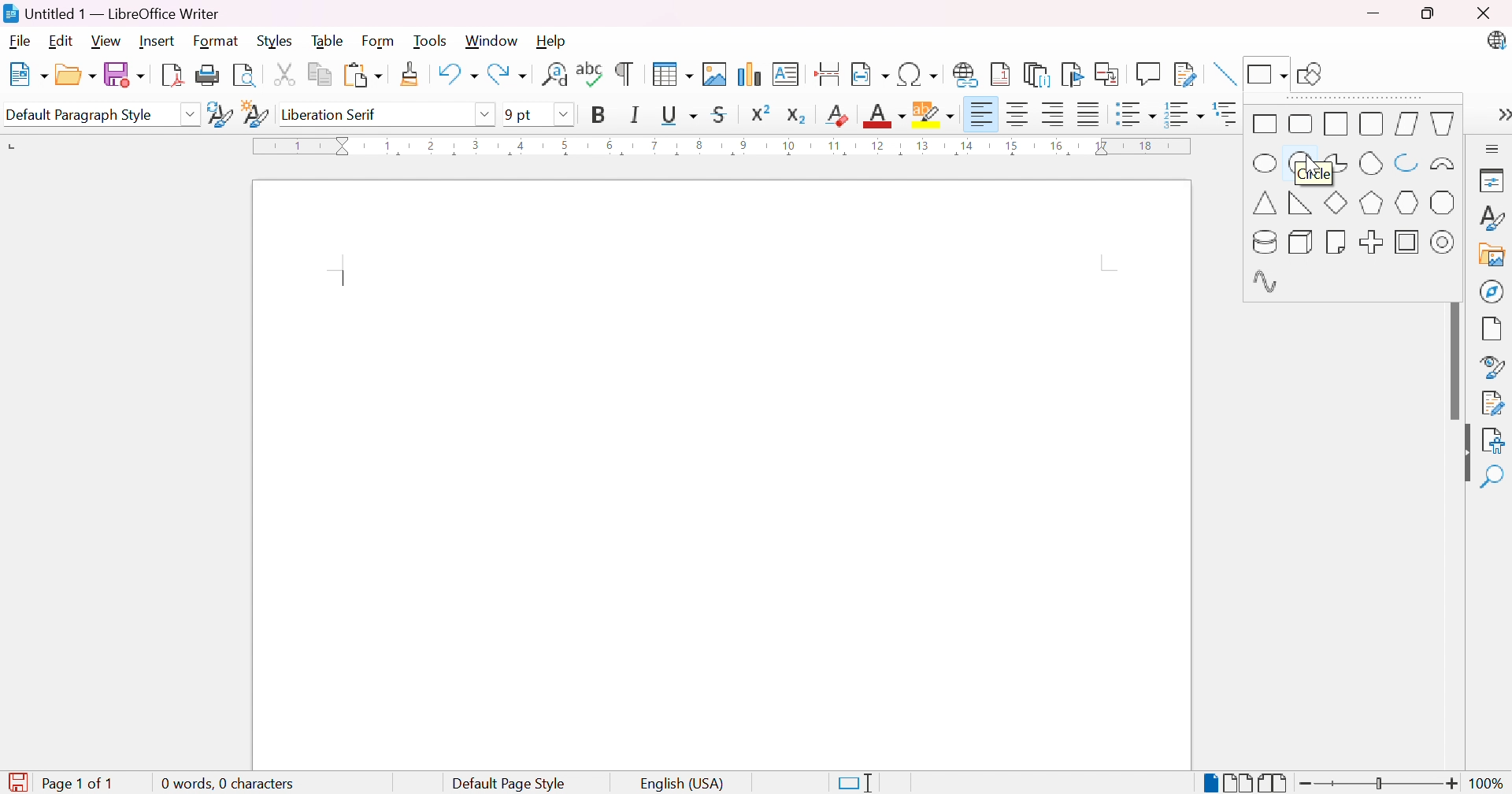  What do you see at coordinates (1406, 124) in the screenshot?
I see `Parallelogram` at bounding box center [1406, 124].